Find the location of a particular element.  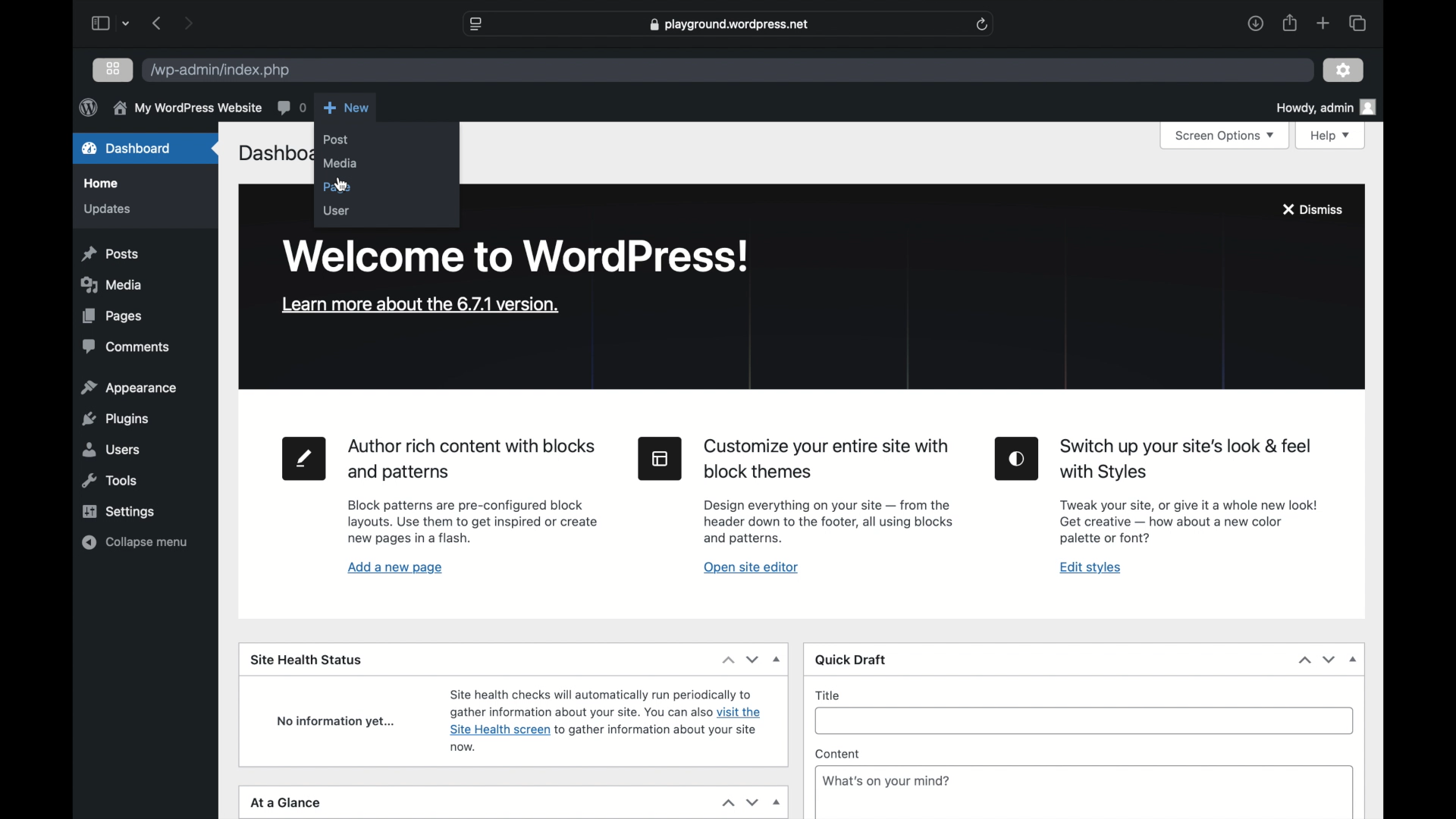

plugins is located at coordinates (115, 419).